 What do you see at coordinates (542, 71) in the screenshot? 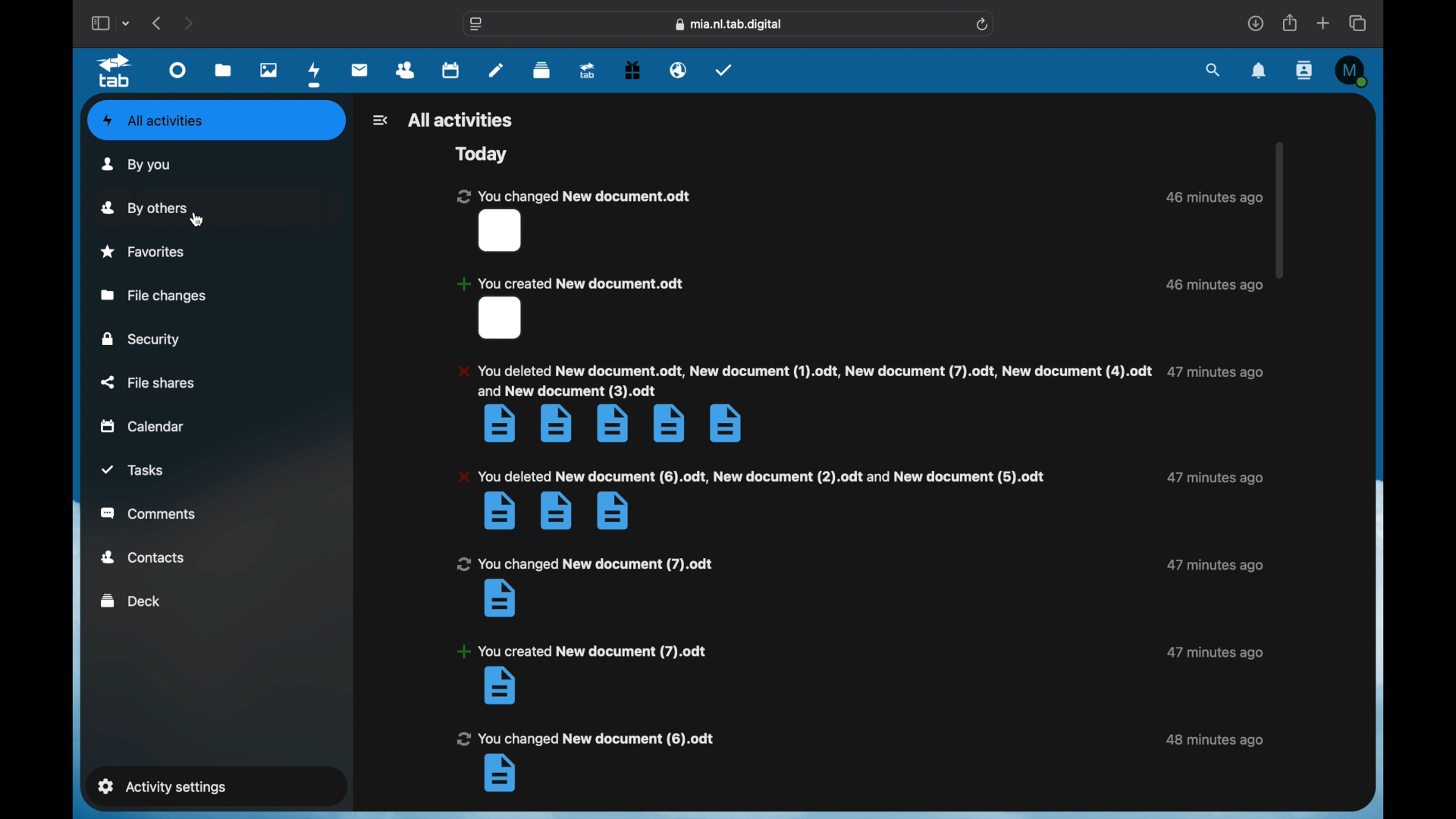
I see `deck` at bounding box center [542, 71].